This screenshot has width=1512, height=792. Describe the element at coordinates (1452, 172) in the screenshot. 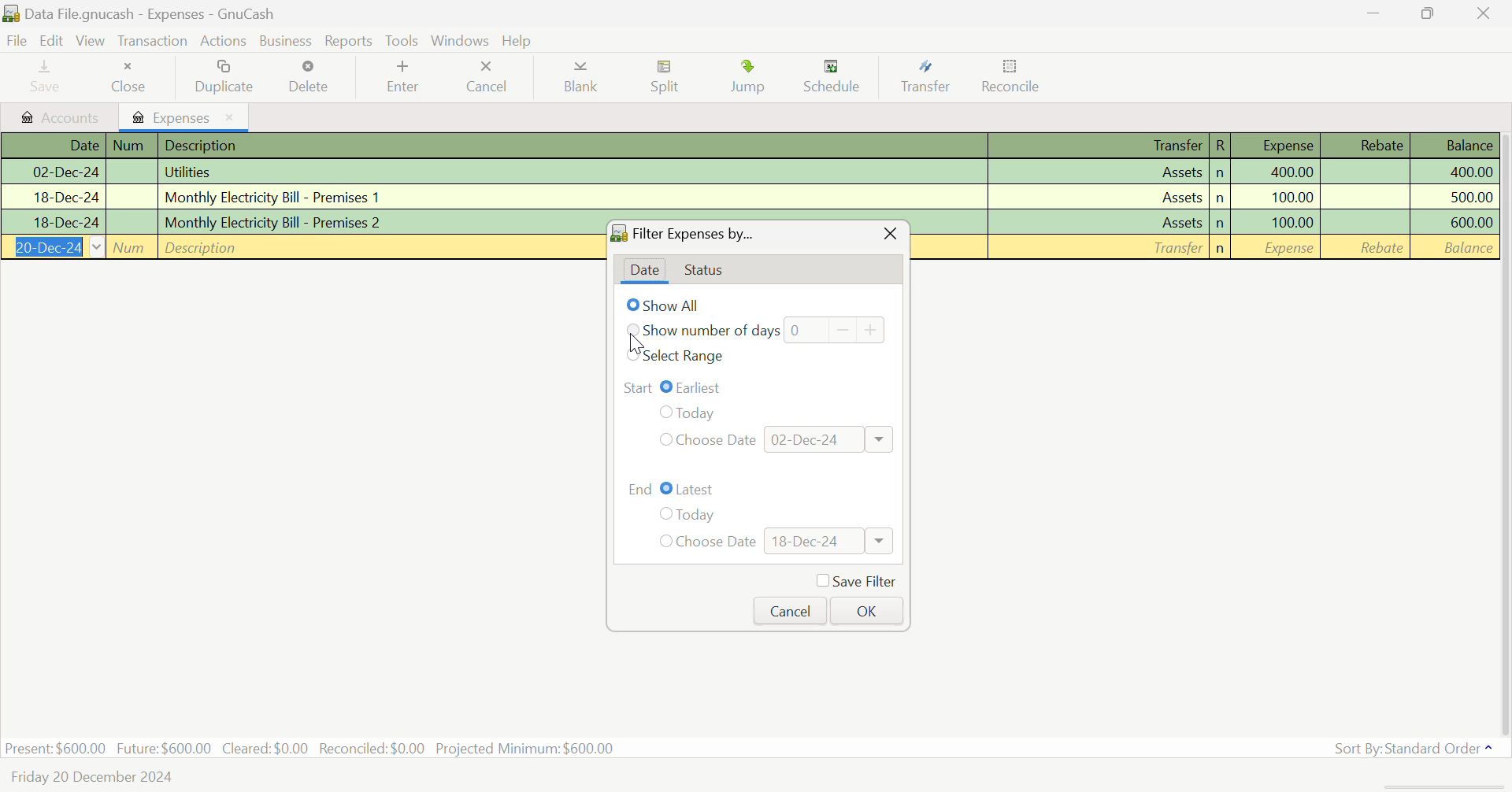

I see `Amount` at that location.